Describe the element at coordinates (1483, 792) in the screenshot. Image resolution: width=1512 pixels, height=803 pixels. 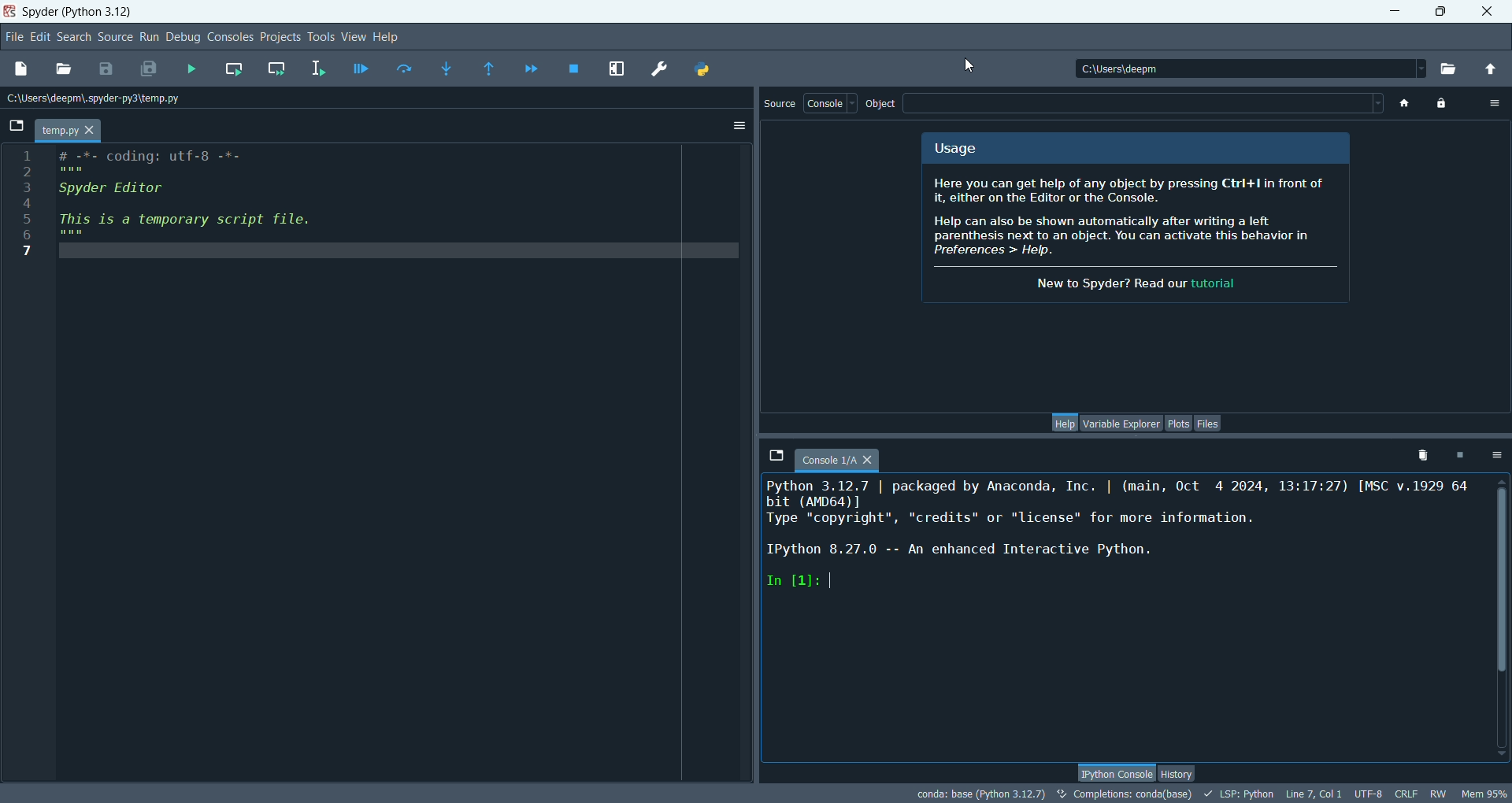
I see `Mem` at that location.